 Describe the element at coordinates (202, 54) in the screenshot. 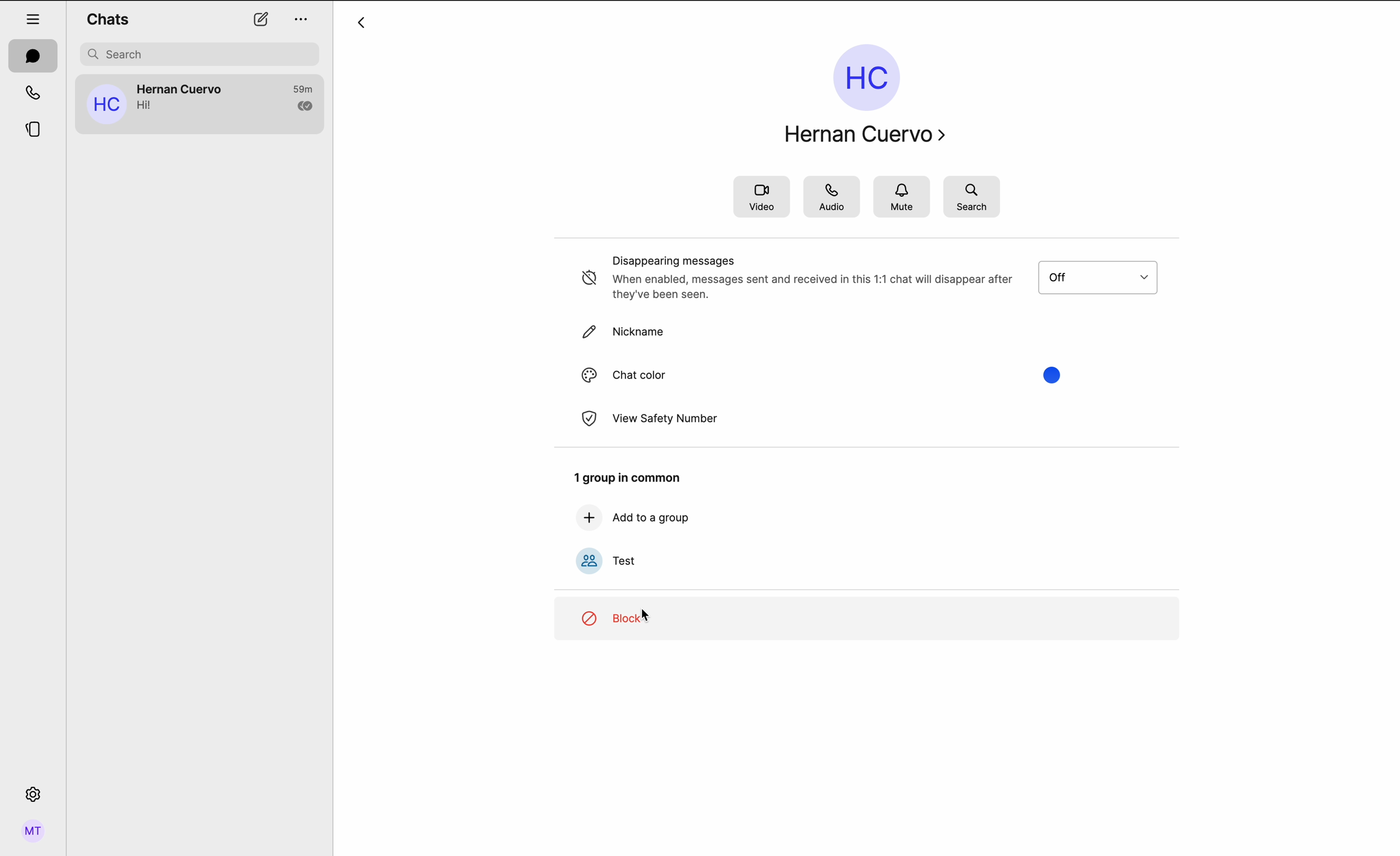

I see `search bar` at that location.